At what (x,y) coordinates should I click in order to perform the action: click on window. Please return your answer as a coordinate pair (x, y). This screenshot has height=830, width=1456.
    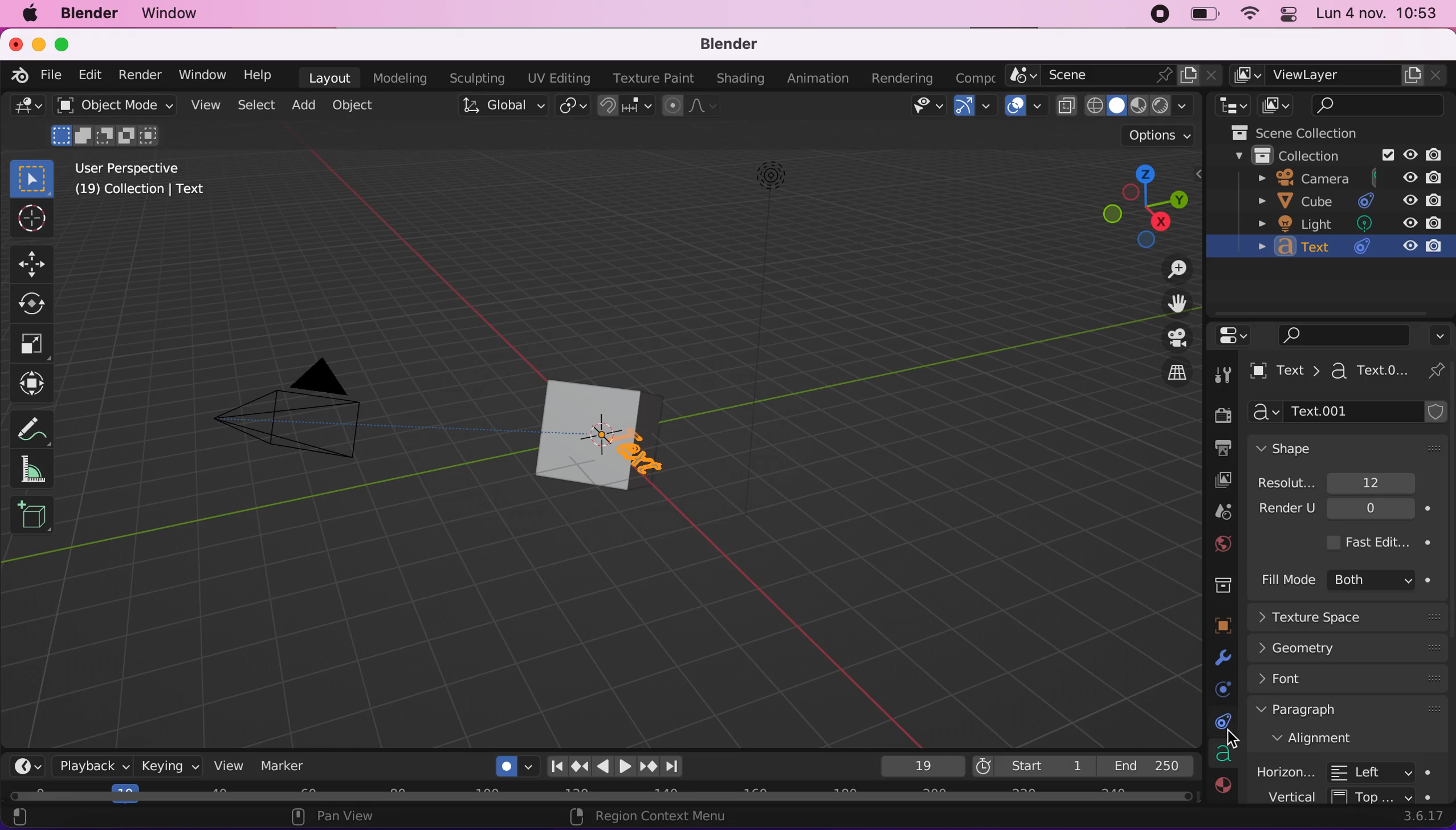
    Looking at the image, I should click on (204, 77).